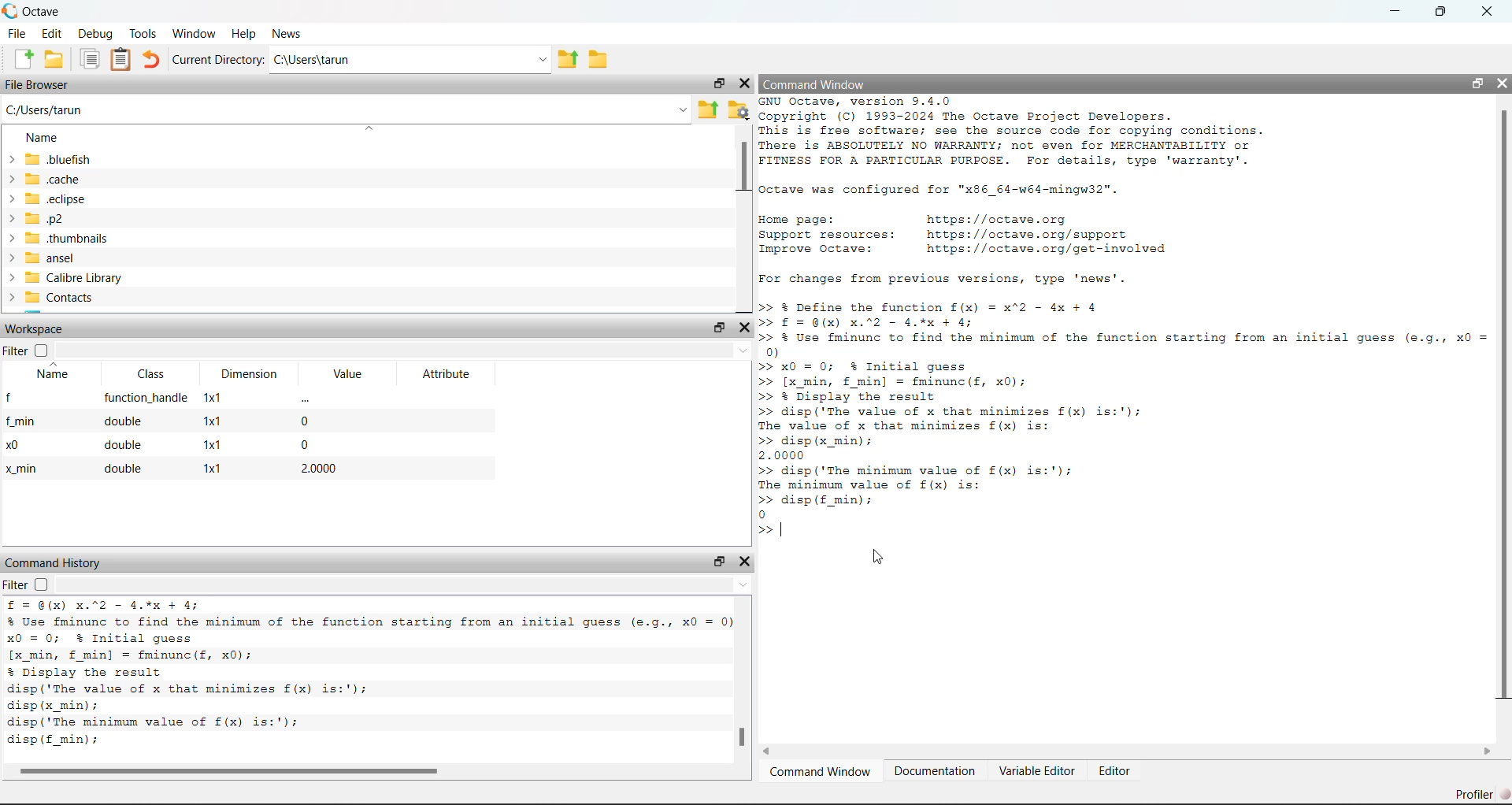 The height and width of the screenshot is (805, 1512). Describe the element at coordinates (39, 84) in the screenshot. I see `File Browser` at that location.